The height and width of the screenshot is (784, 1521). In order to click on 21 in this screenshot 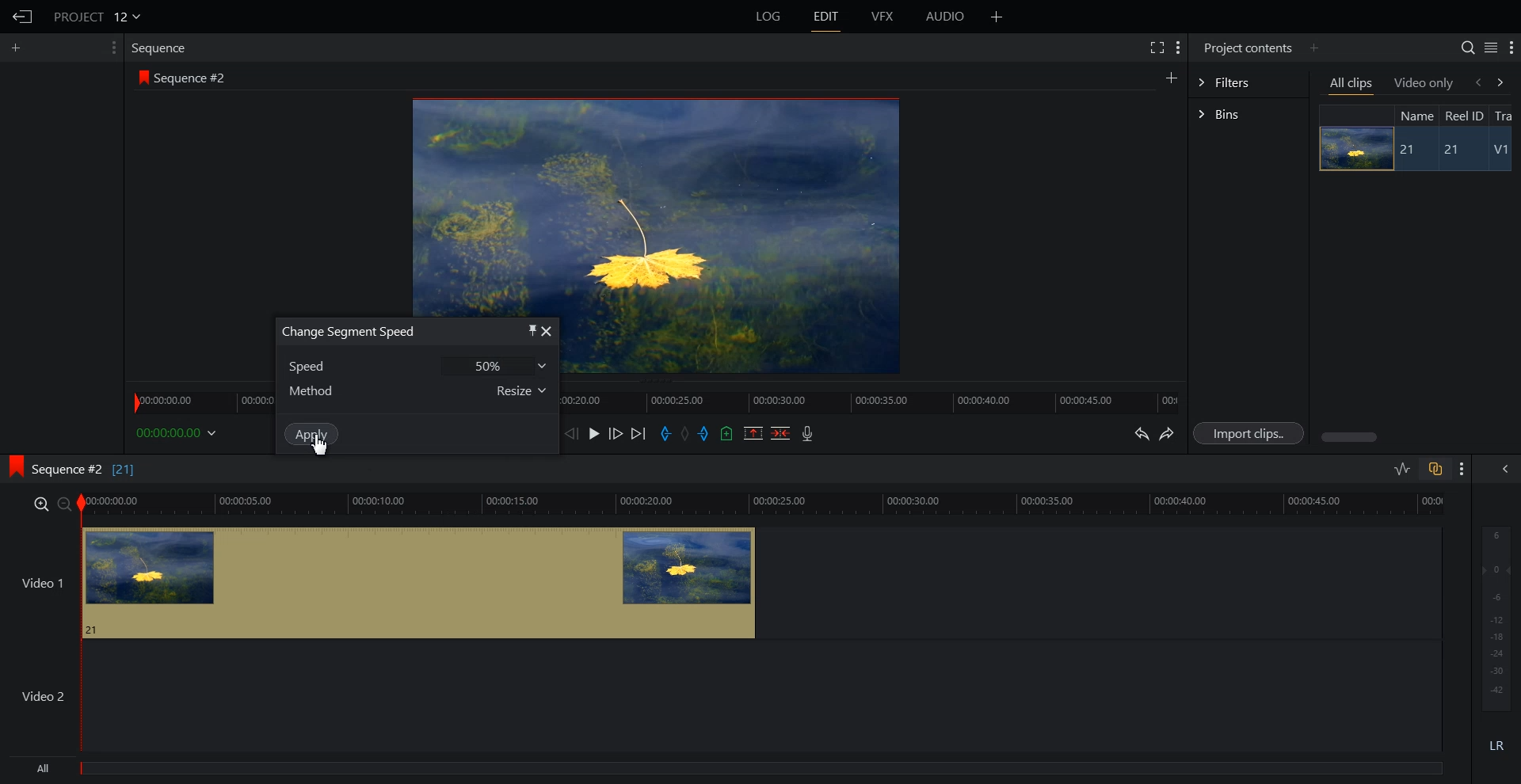, I will do `click(1409, 150)`.